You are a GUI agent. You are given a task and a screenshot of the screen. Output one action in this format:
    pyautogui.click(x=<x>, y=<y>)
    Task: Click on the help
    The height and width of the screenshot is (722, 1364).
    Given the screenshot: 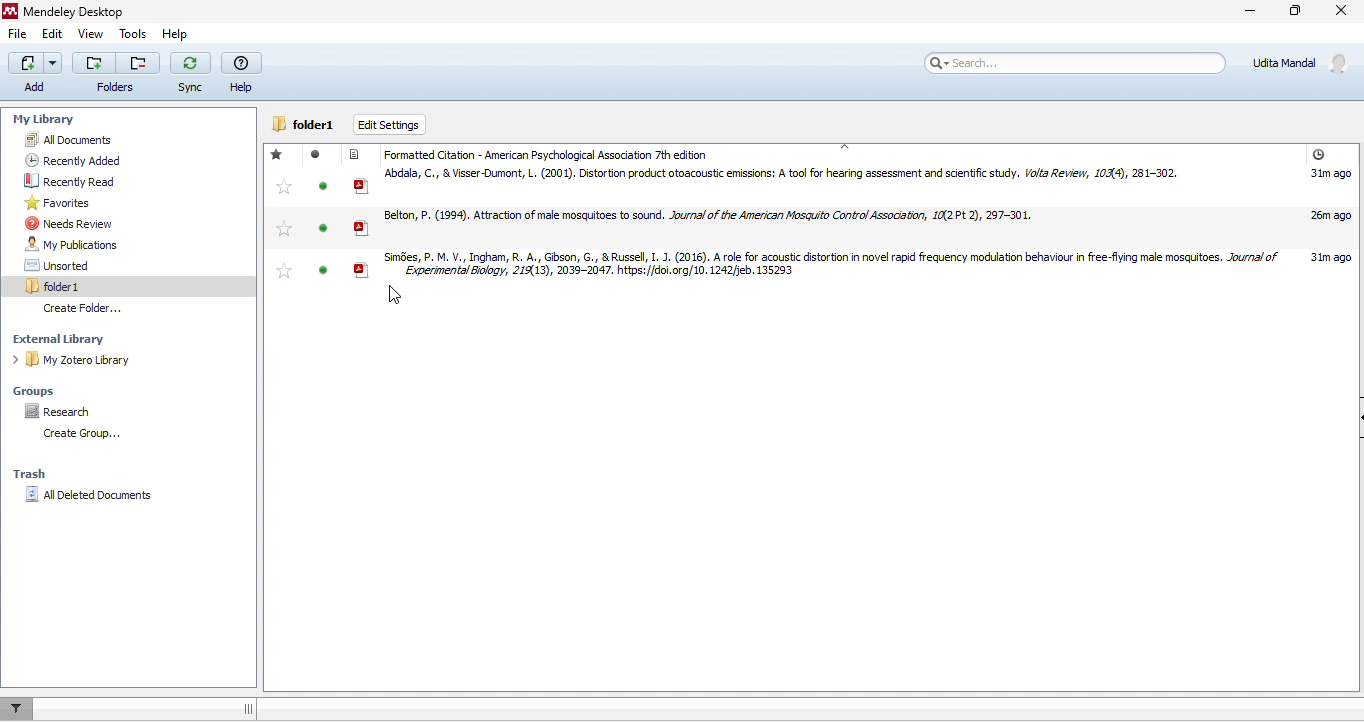 What is the action you would take?
    pyautogui.click(x=173, y=34)
    